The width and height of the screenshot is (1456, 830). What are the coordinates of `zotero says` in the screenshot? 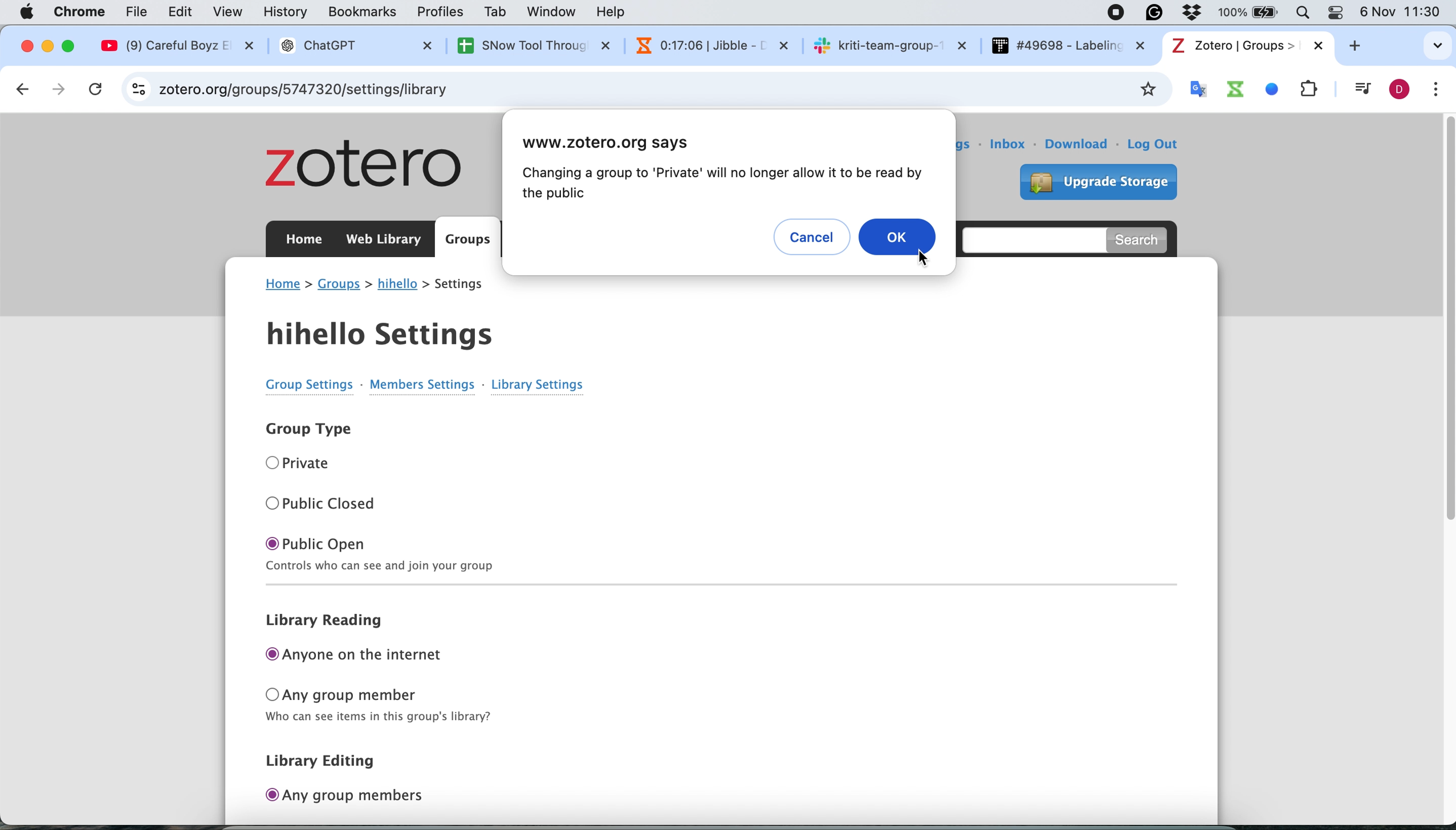 It's located at (618, 144).